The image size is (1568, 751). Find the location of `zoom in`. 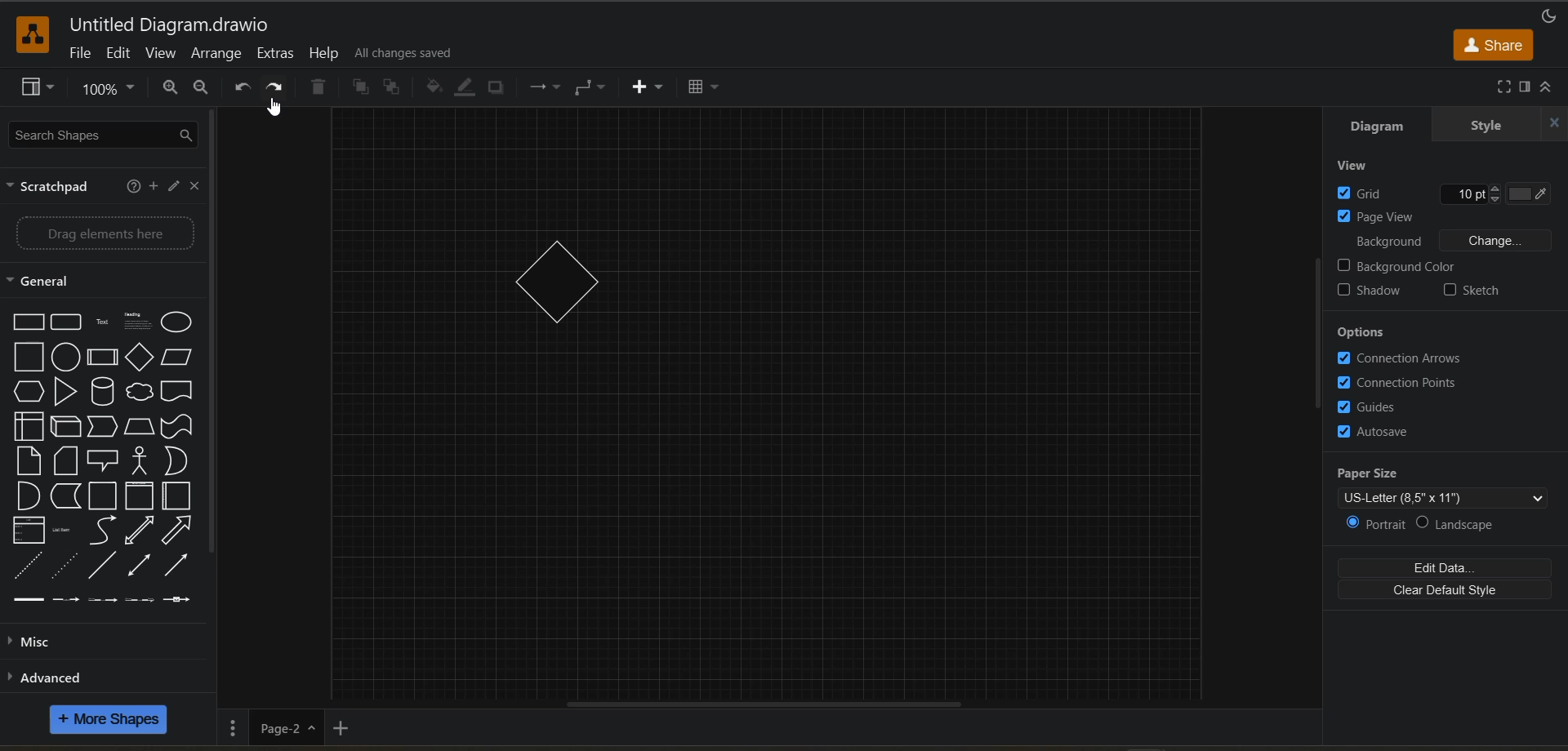

zoom in is located at coordinates (167, 88).